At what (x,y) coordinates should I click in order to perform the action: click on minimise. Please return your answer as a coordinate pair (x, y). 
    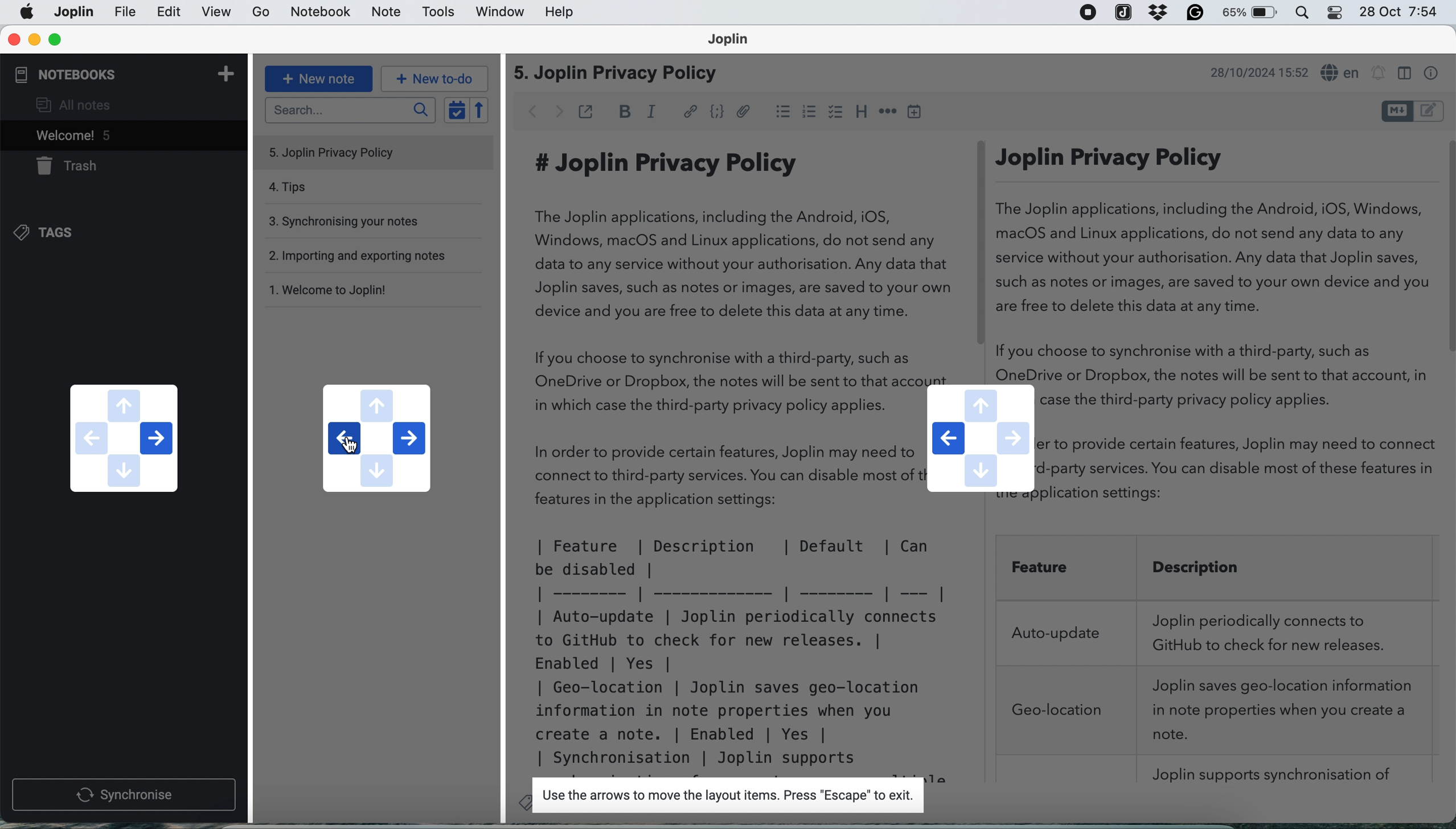
    Looking at the image, I should click on (35, 40).